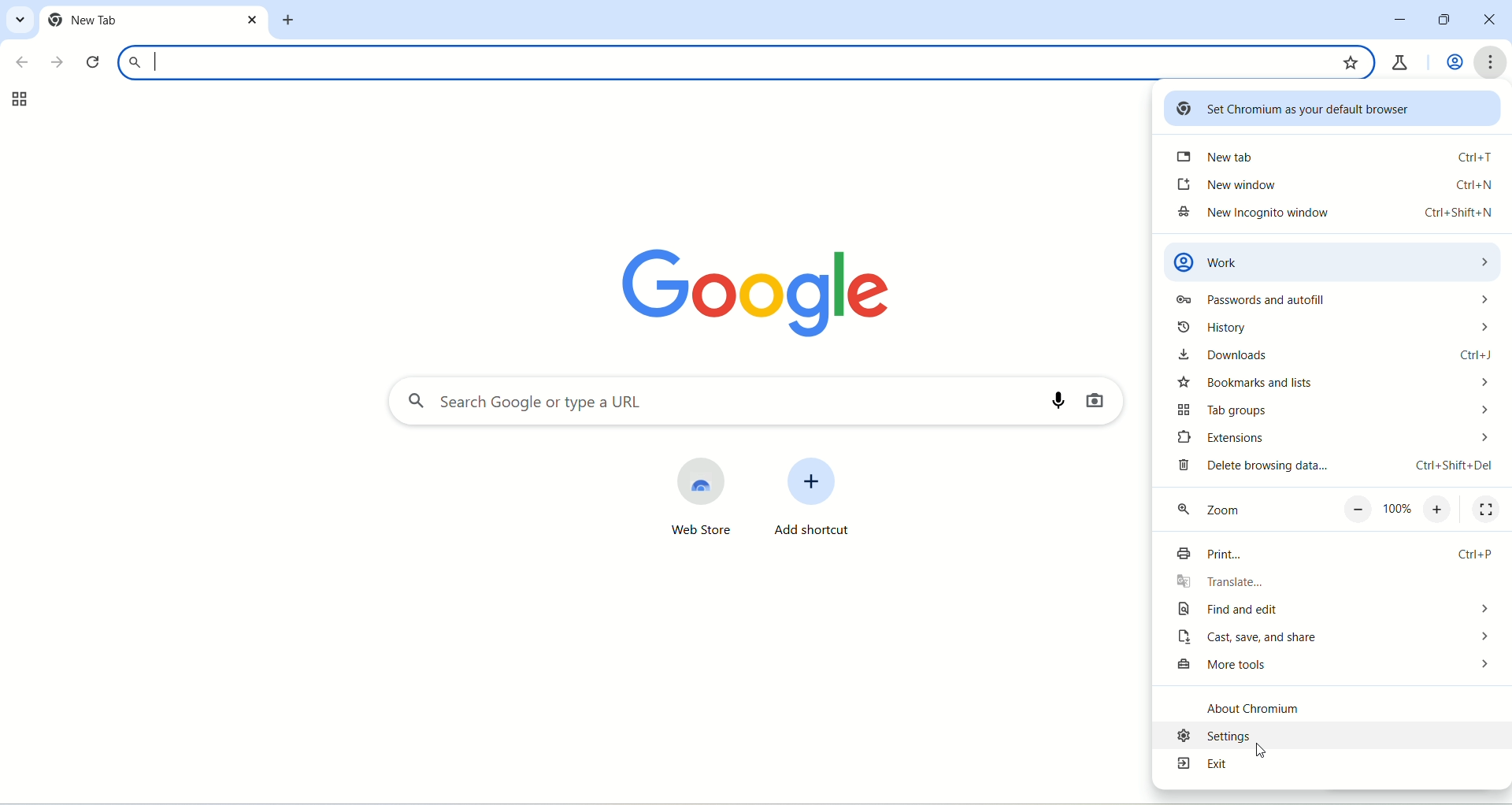  I want to click on tab group, so click(1330, 414).